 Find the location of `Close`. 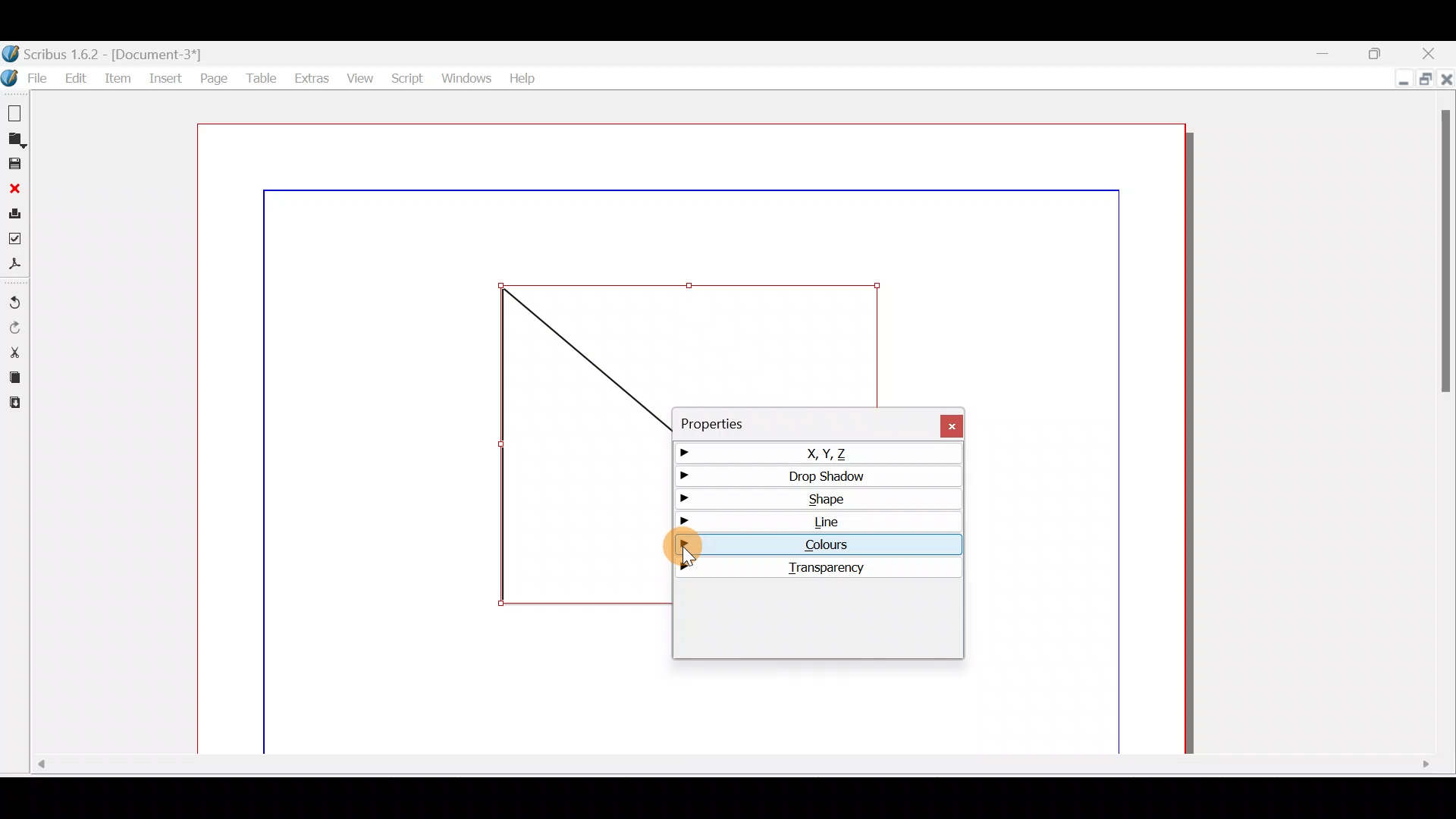

Close is located at coordinates (13, 187).